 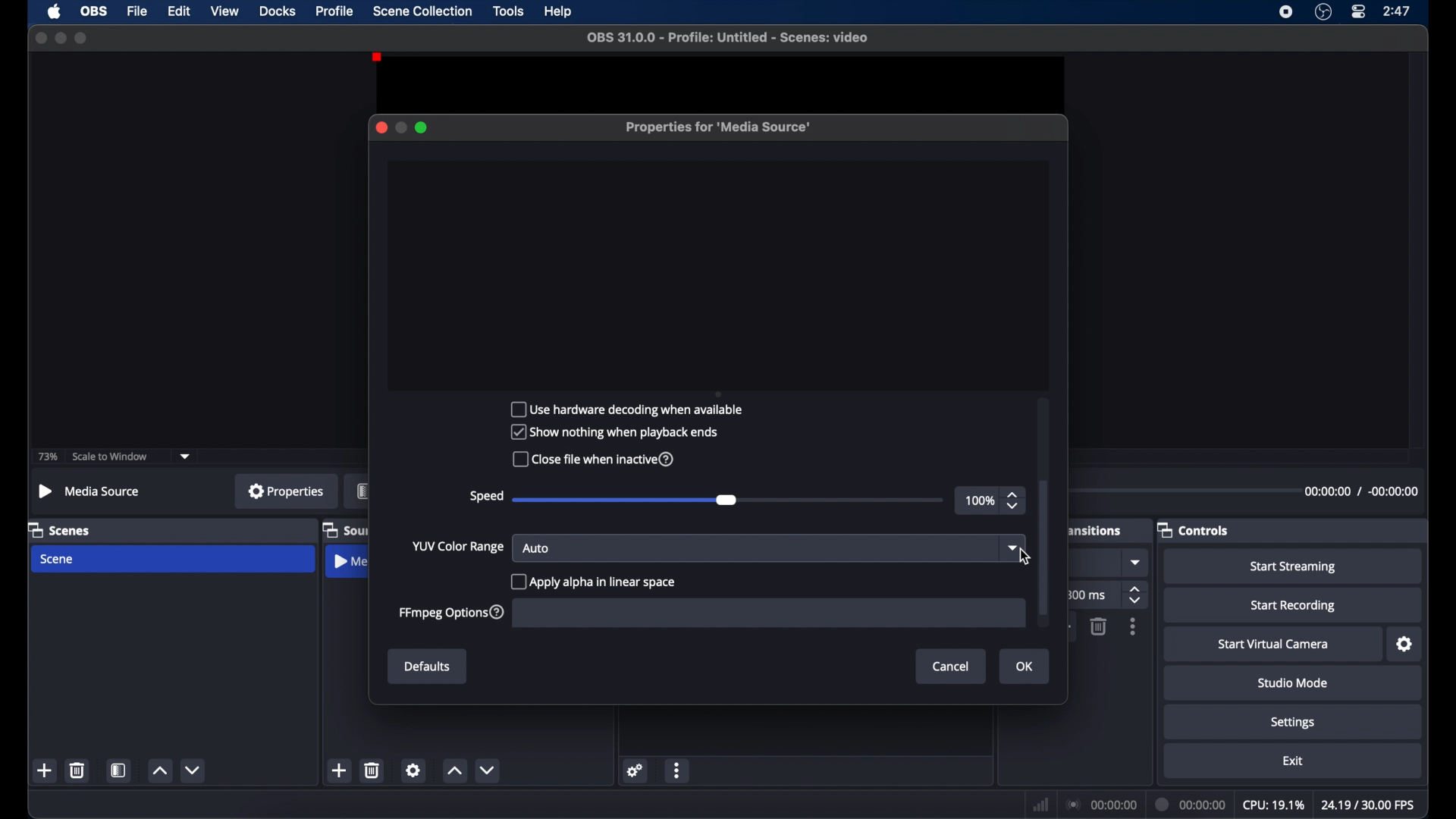 What do you see at coordinates (559, 12) in the screenshot?
I see `help` at bounding box center [559, 12].